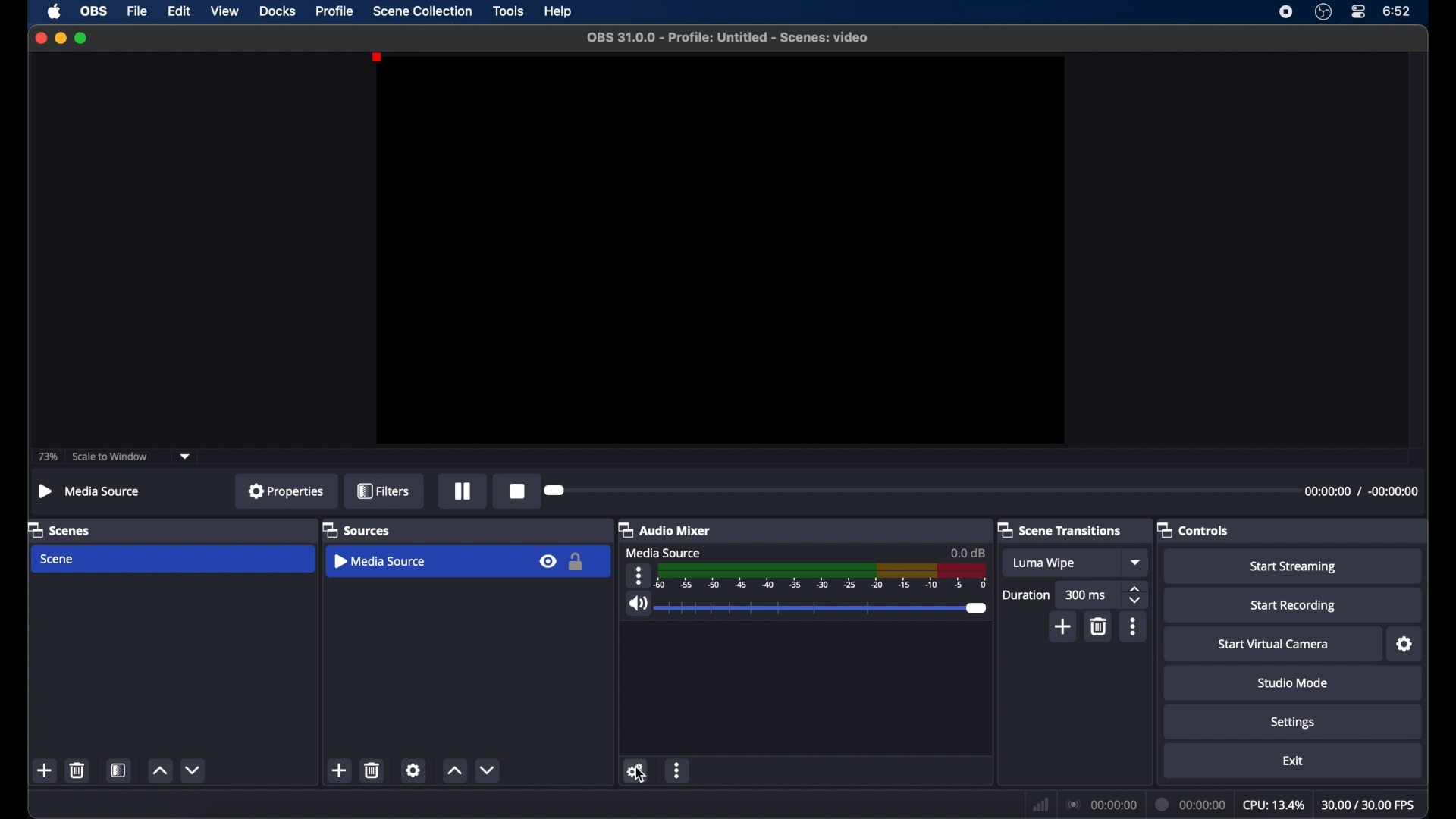  I want to click on scenes, so click(59, 529).